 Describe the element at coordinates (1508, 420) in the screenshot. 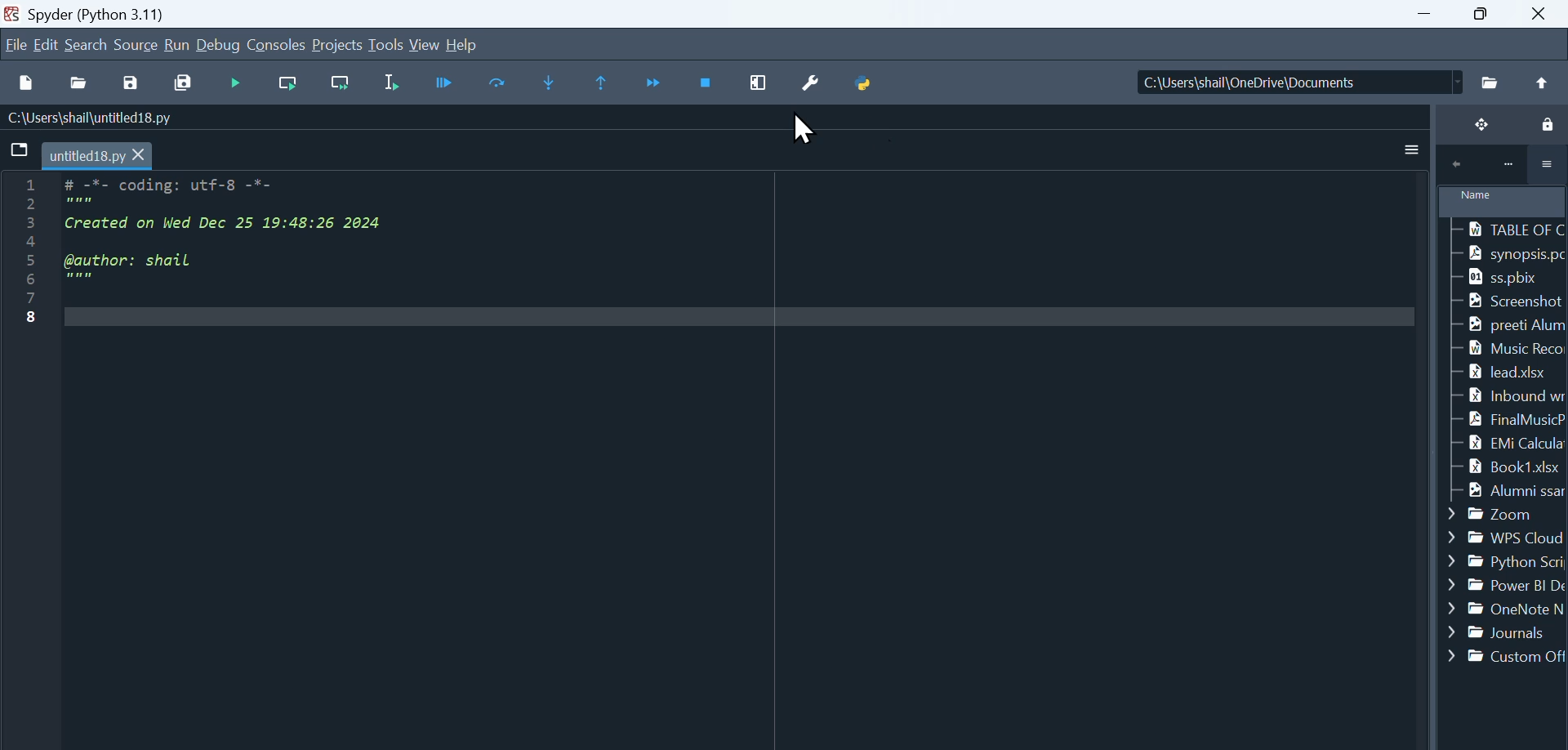

I see `FinalMusic..` at that location.